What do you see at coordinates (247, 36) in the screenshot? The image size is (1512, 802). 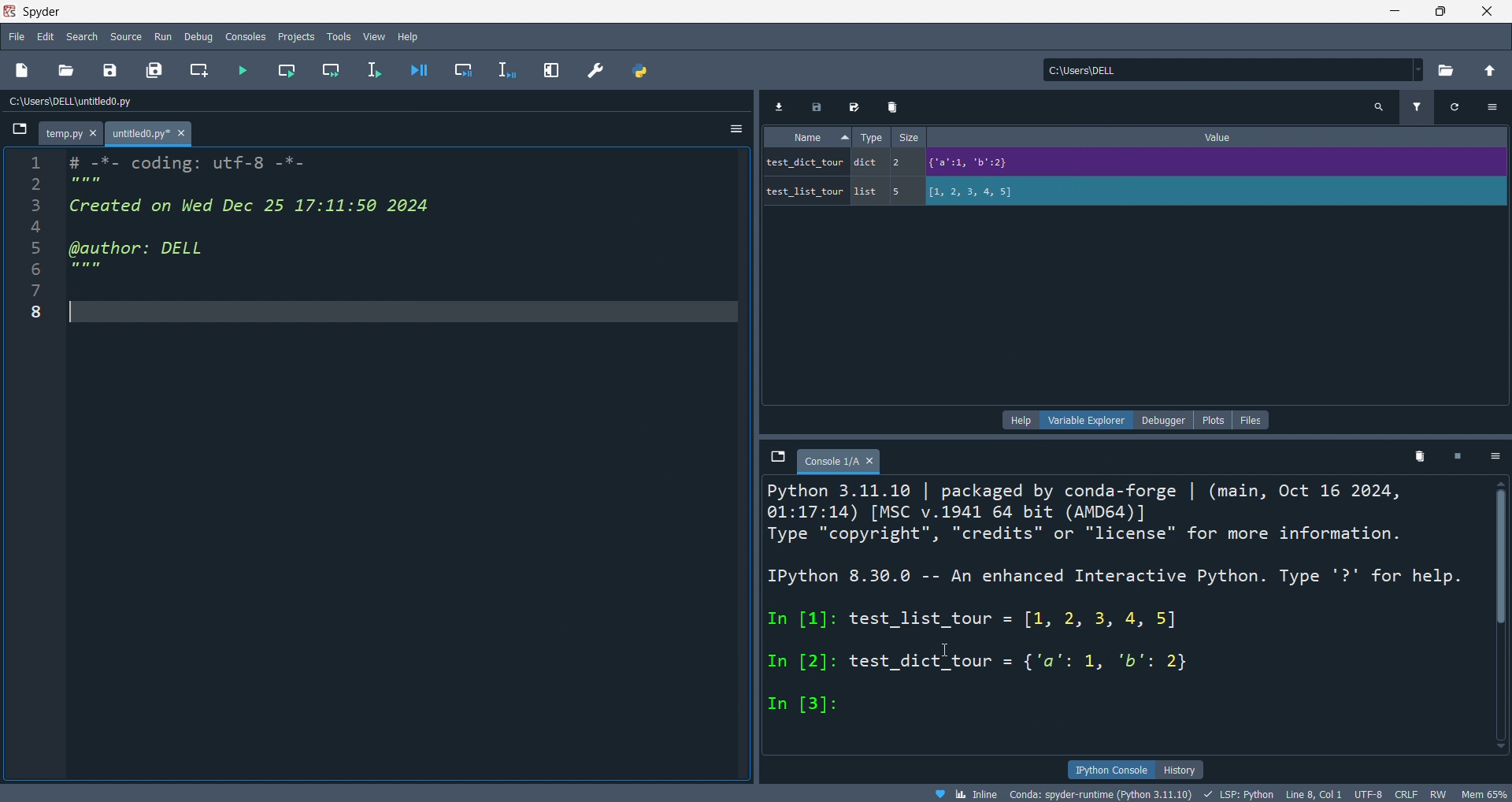 I see `consoles` at bounding box center [247, 36].